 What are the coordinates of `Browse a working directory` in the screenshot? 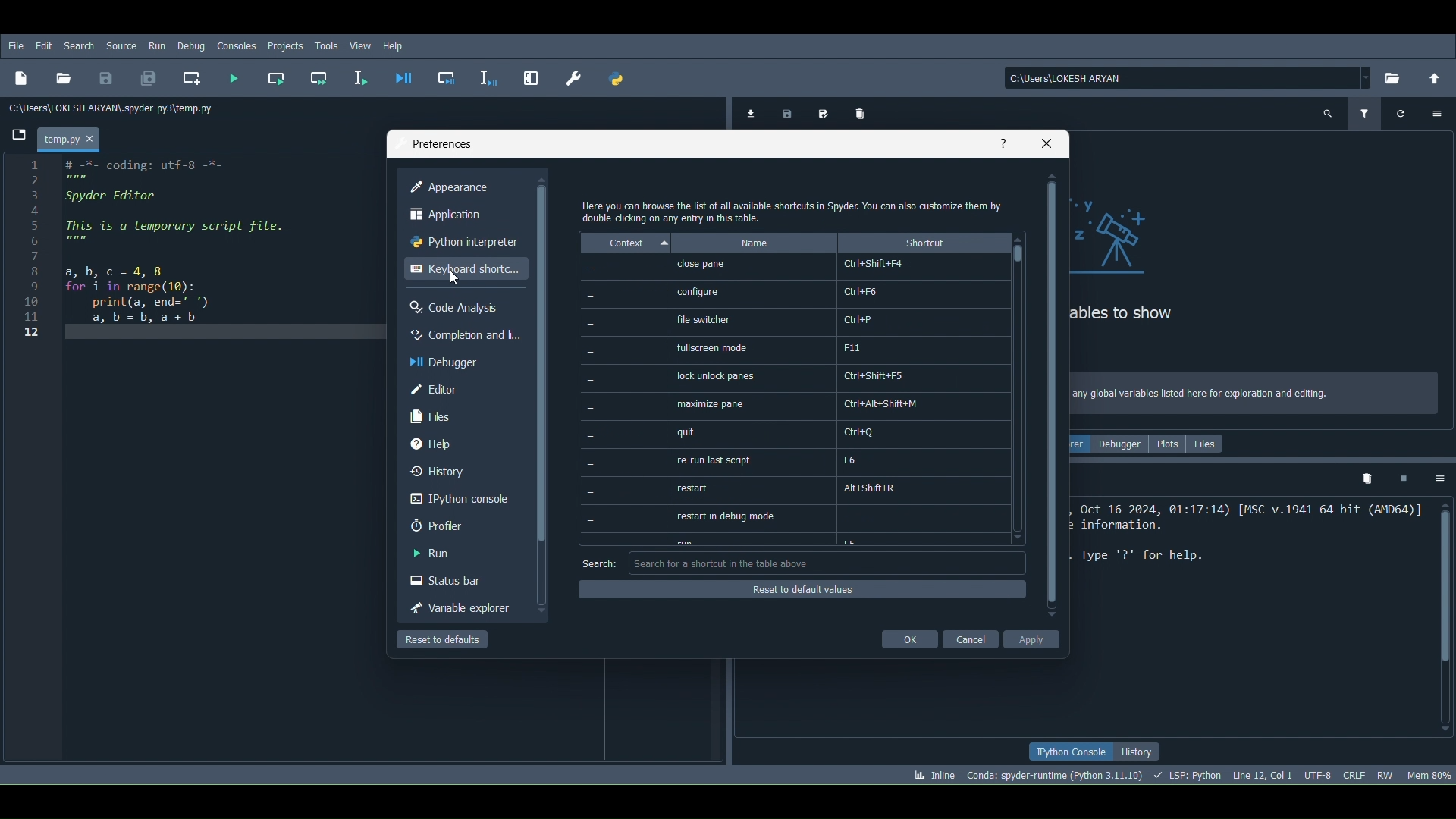 It's located at (1393, 74).